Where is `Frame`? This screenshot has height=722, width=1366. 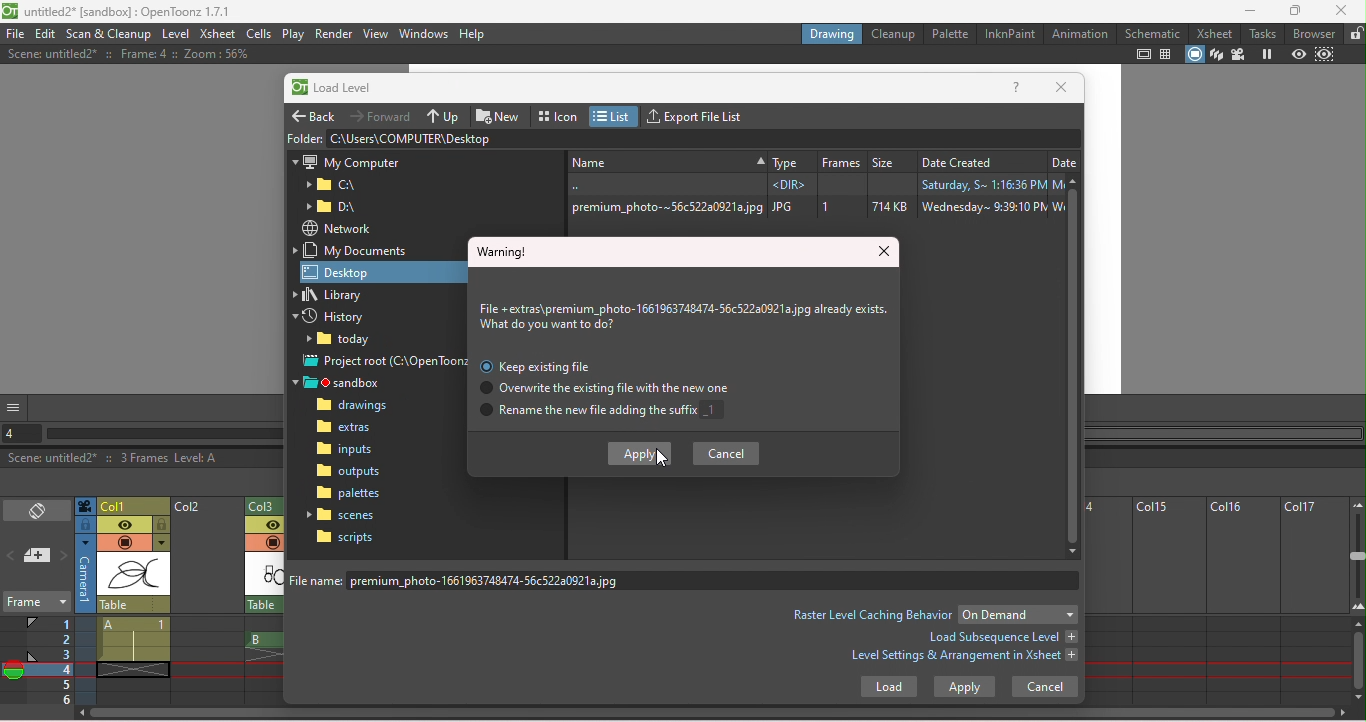
Frame is located at coordinates (841, 159).